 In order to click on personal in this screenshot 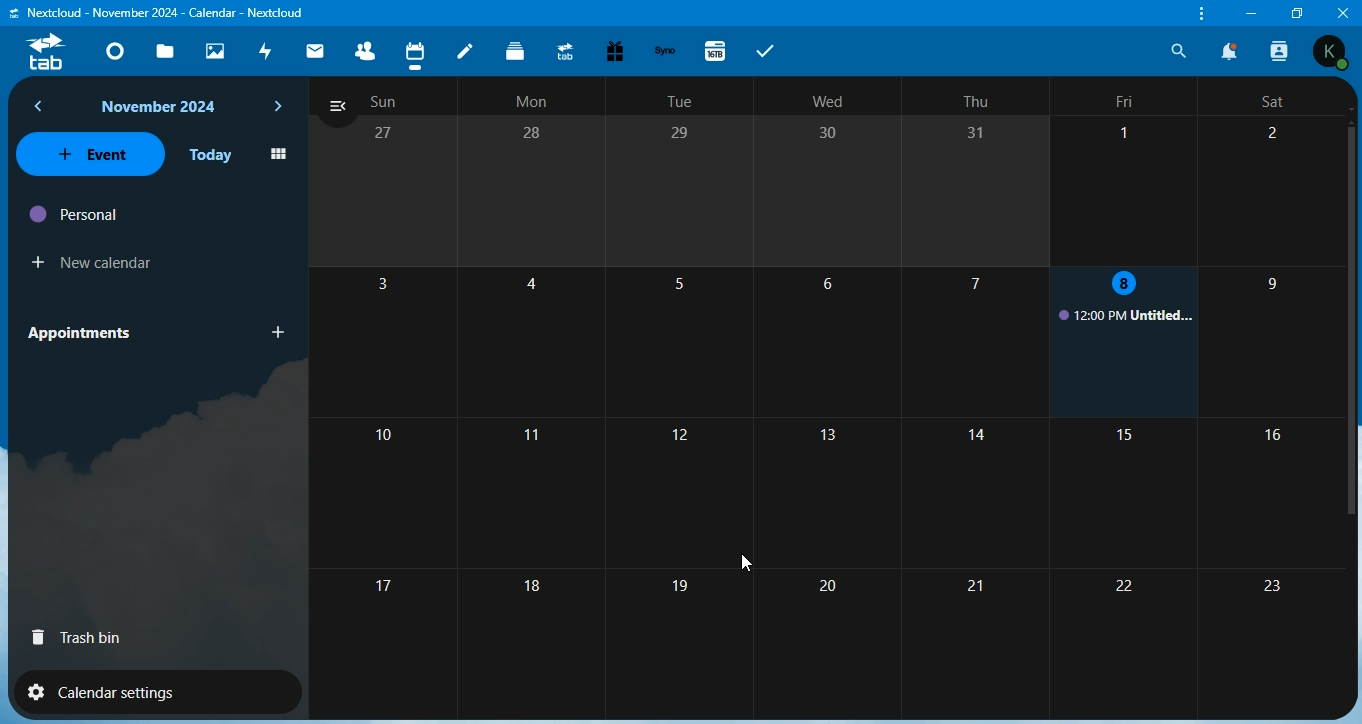, I will do `click(78, 214)`.